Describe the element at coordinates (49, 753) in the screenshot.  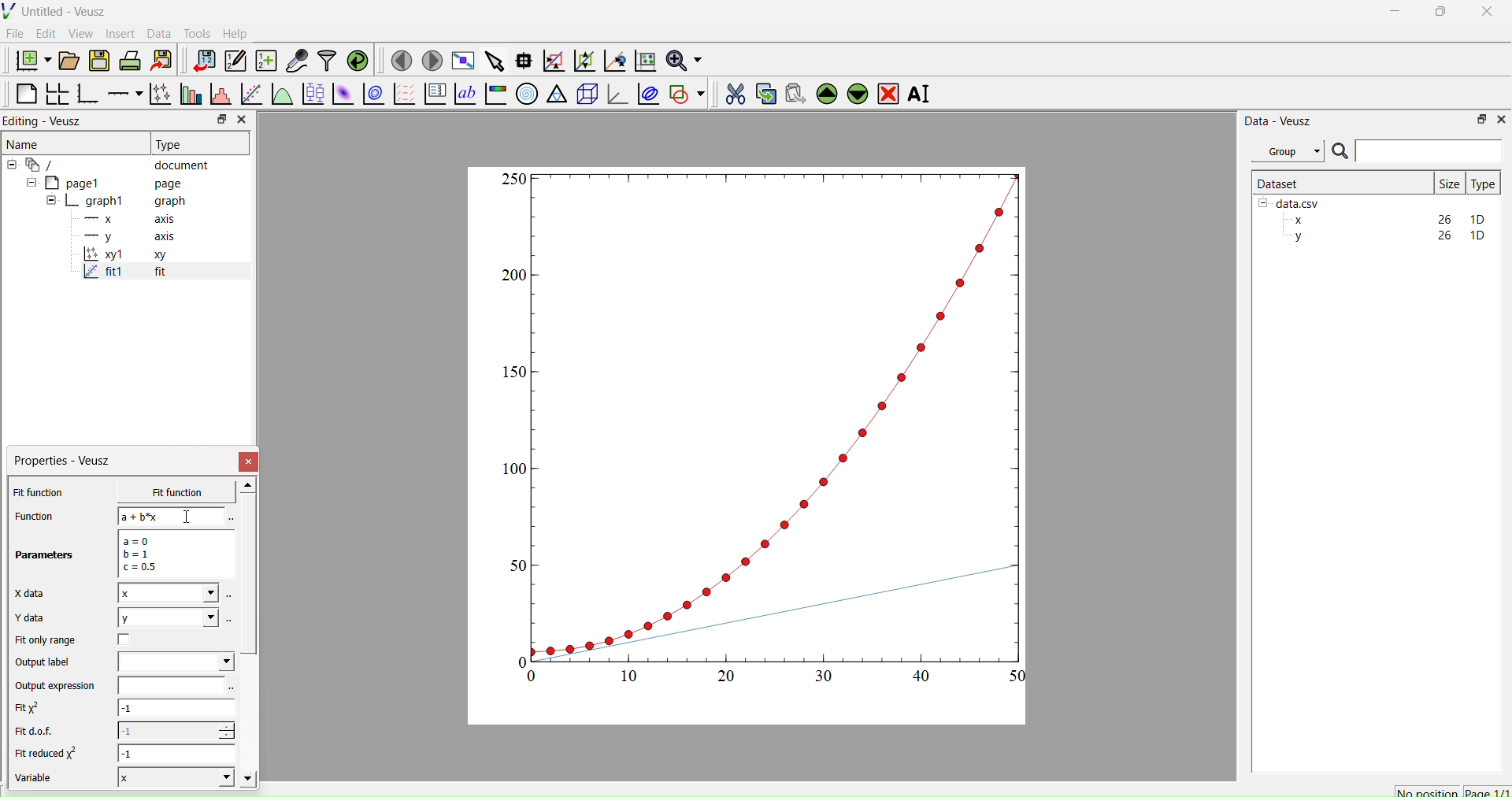
I see `Fit reduced x^2` at that location.